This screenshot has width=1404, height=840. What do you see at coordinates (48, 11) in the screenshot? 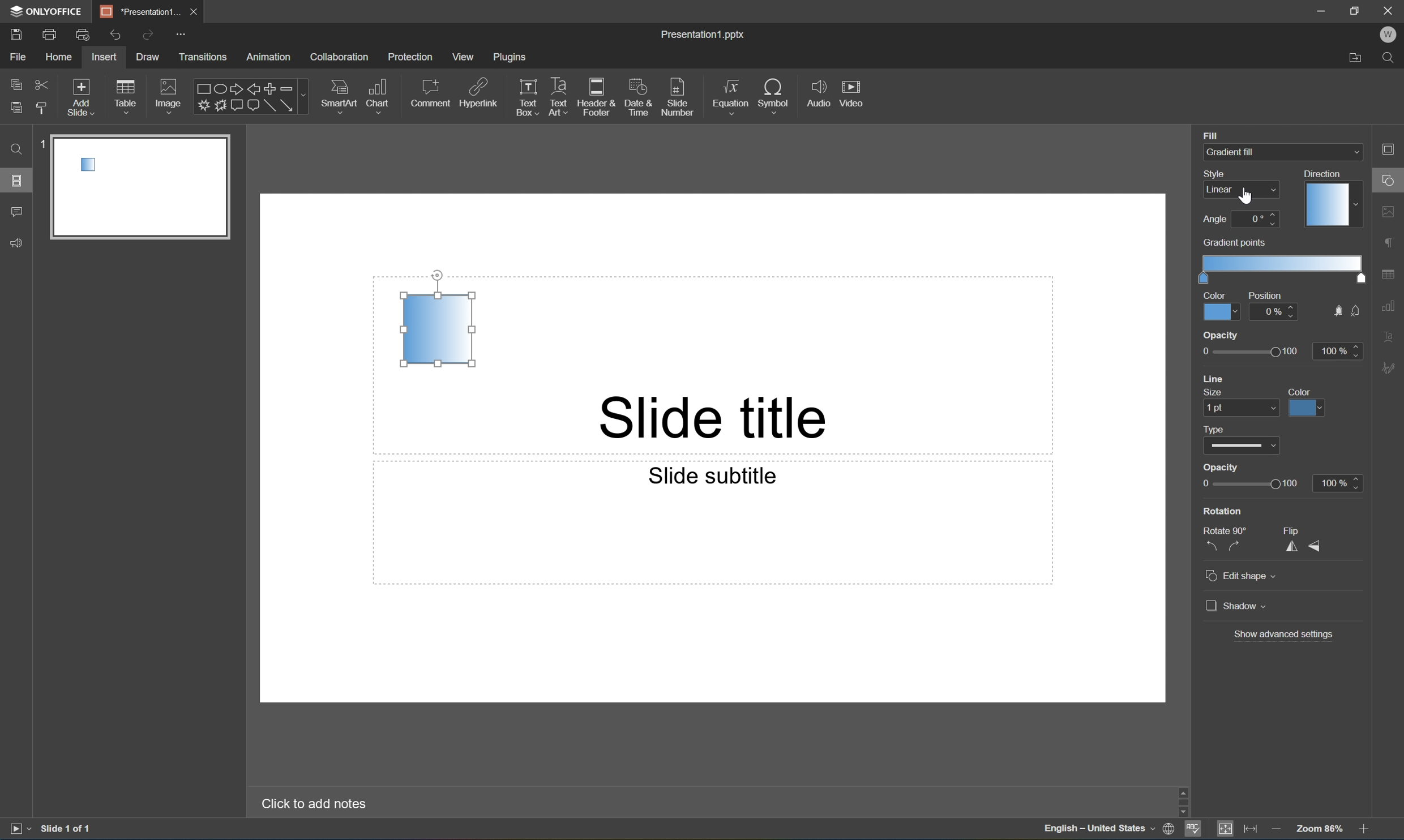
I see `ONLYOFFICE` at bounding box center [48, 11].